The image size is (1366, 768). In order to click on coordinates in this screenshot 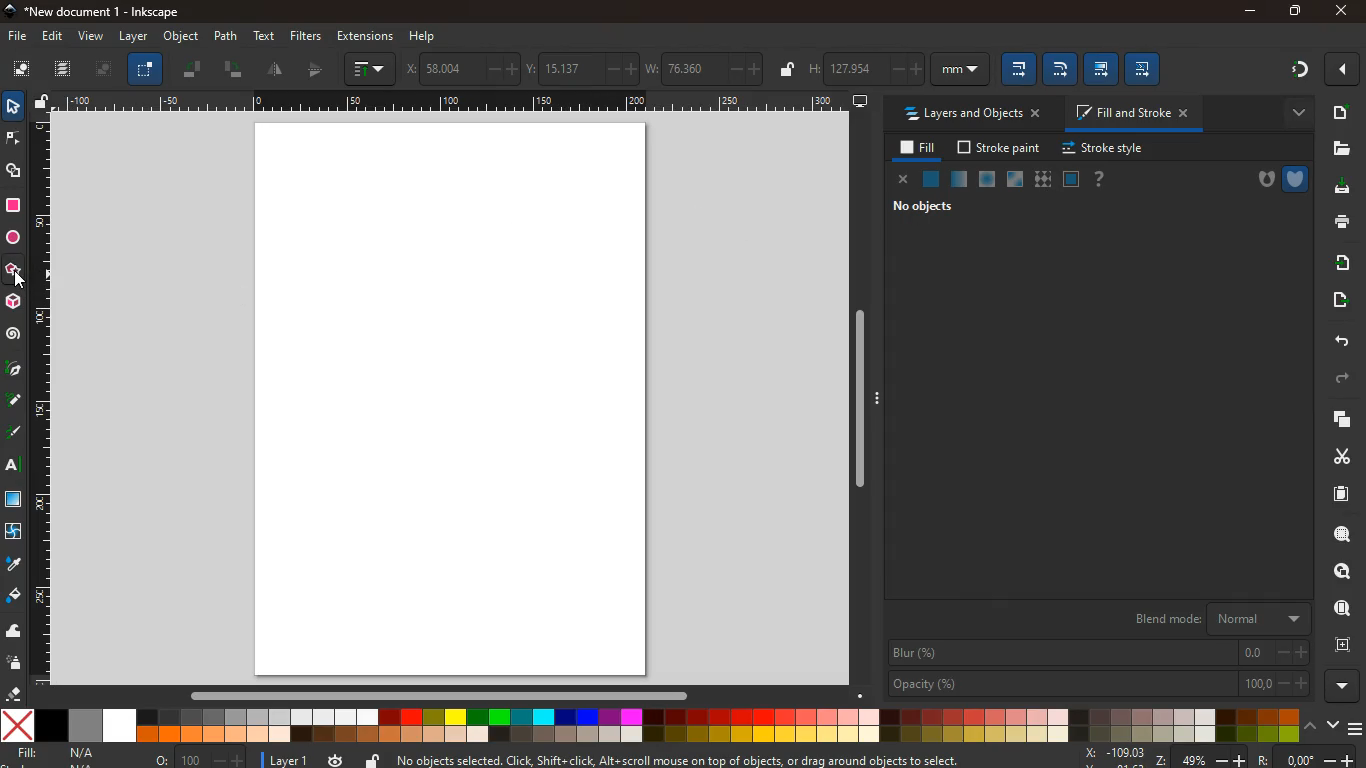, I will do `click(587, 71)`.